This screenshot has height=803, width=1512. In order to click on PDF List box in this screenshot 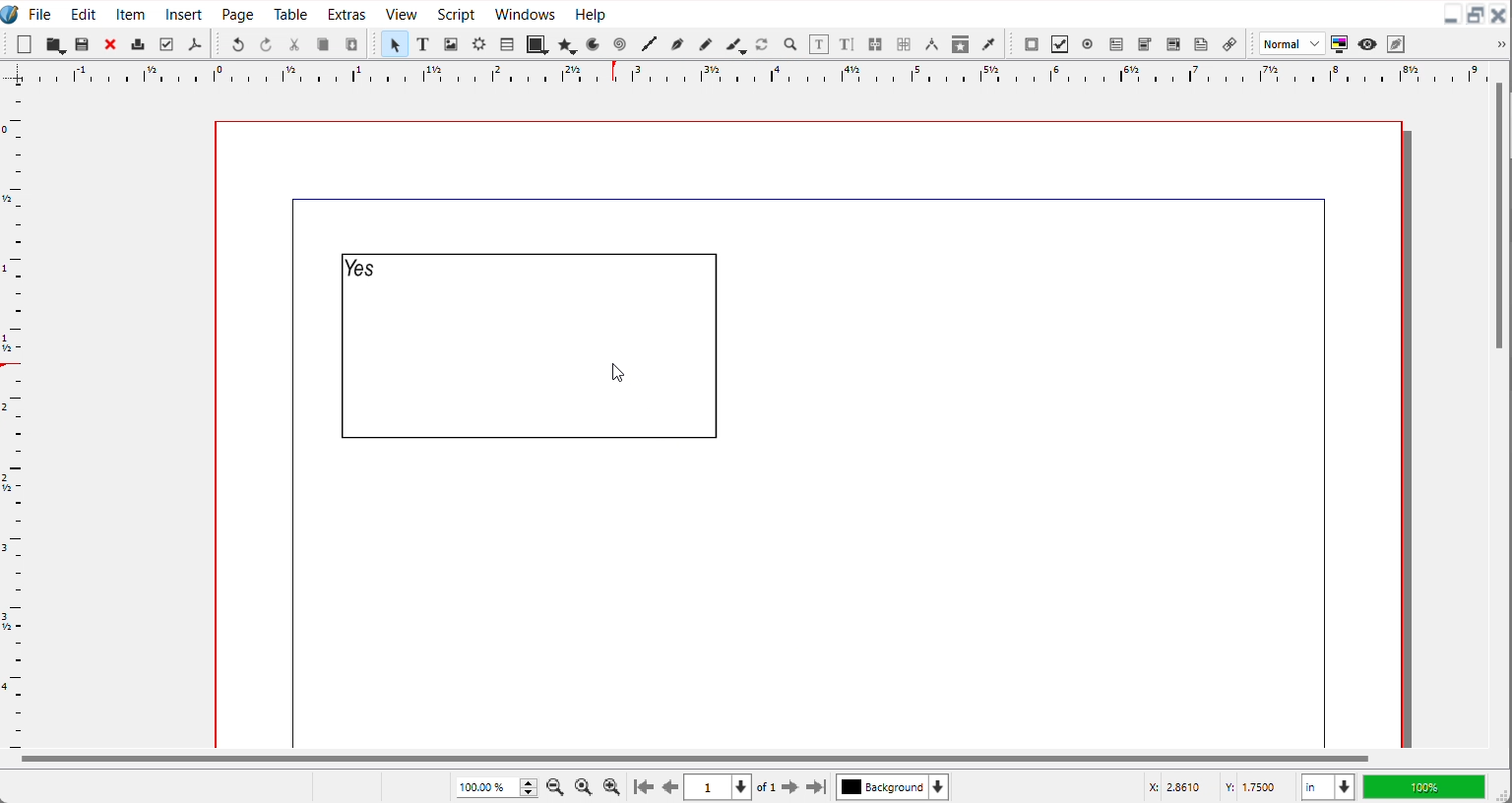, I will do `click(1174, 44)`.